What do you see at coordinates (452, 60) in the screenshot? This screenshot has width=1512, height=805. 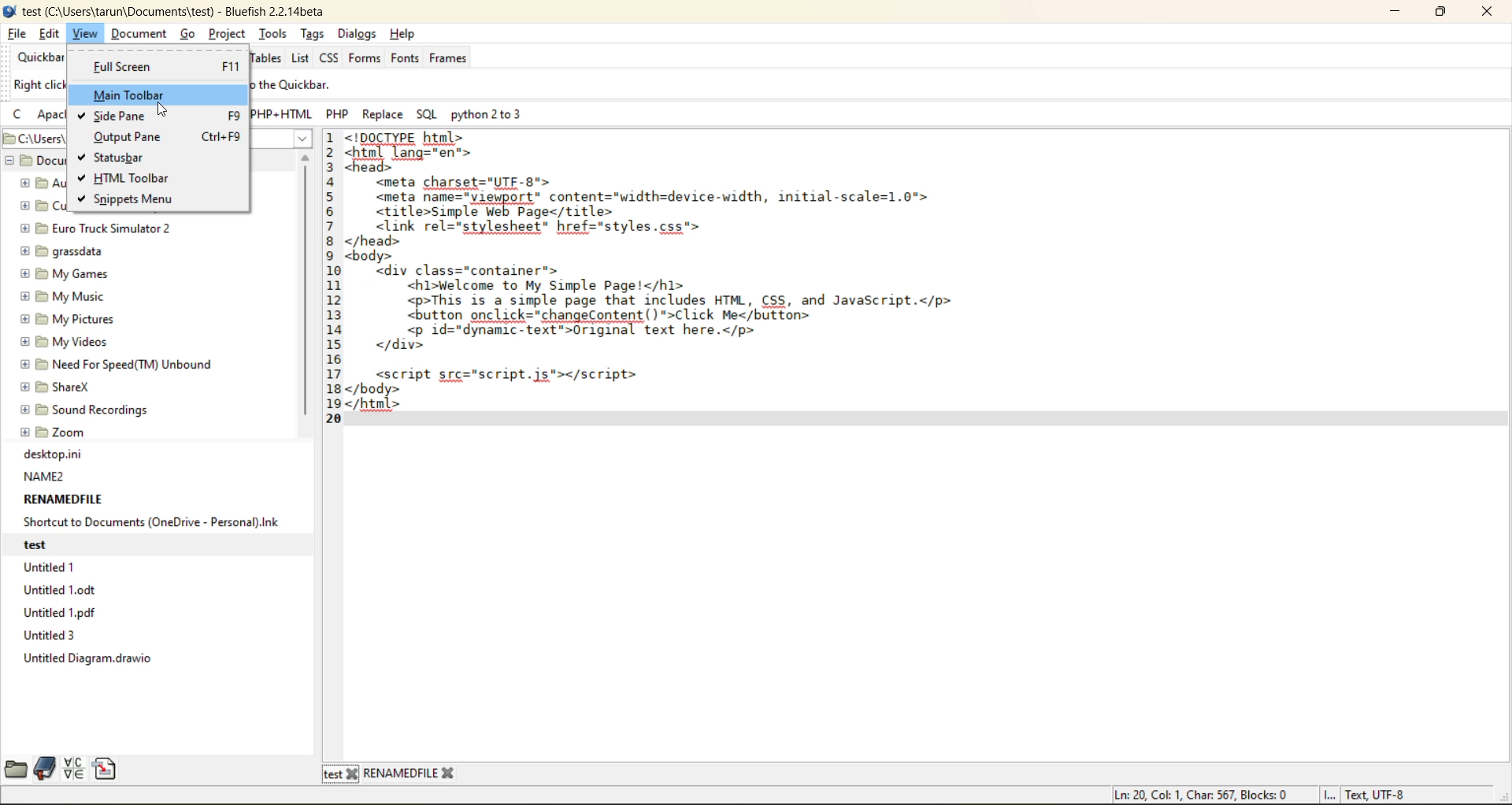 I see `frames` at bounding box center [452, 60].